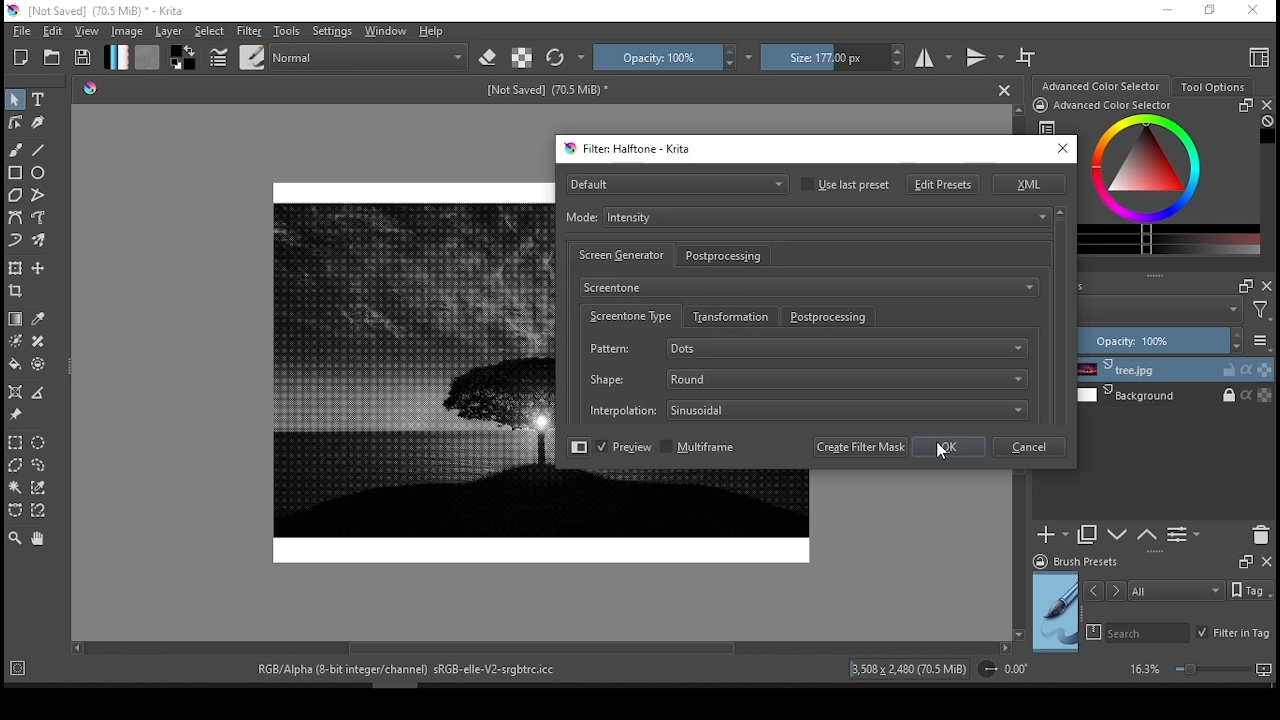 This screenshot has width=1280, height=720. Describe the element at coordinates (14, 122) in the screenshot. I see `edit shapes tool` at that location.